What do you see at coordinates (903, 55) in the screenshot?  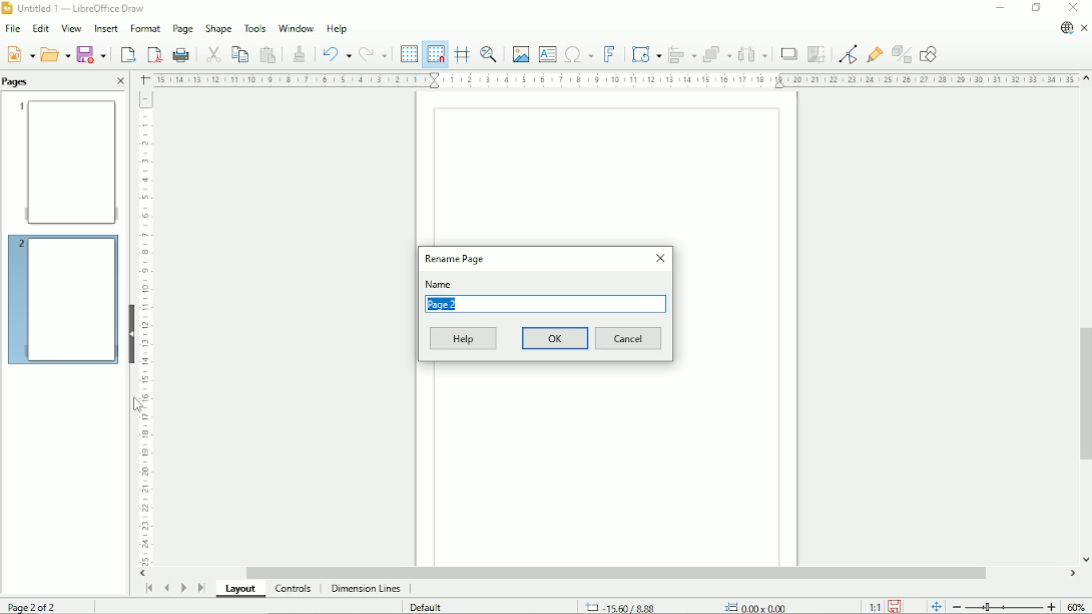 I see `Toggle extrusion` at bounding box center [903, 55].